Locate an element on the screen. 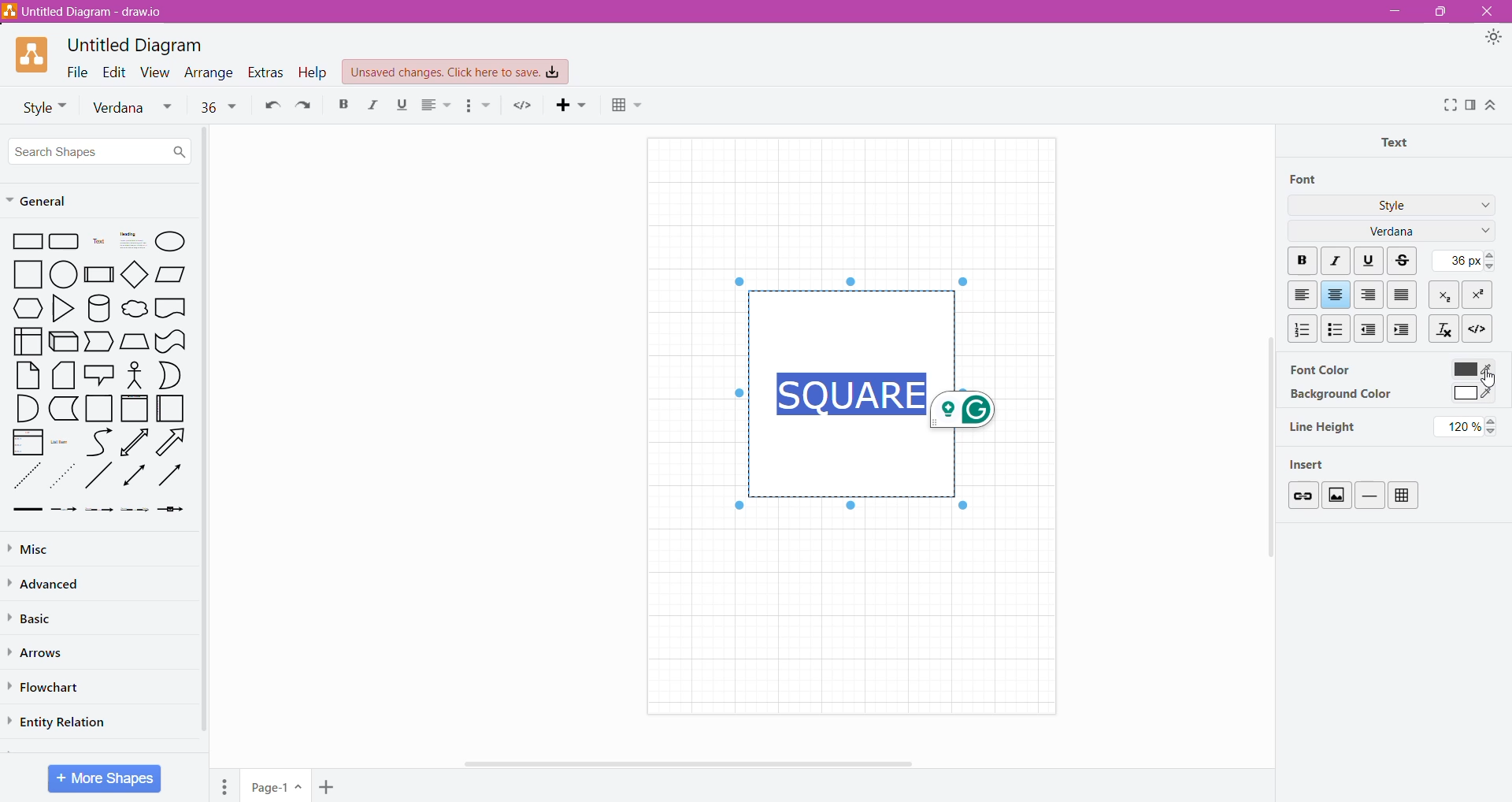 This screenshot has width=1512, height=802. frame is located at coordinates (134, 408).